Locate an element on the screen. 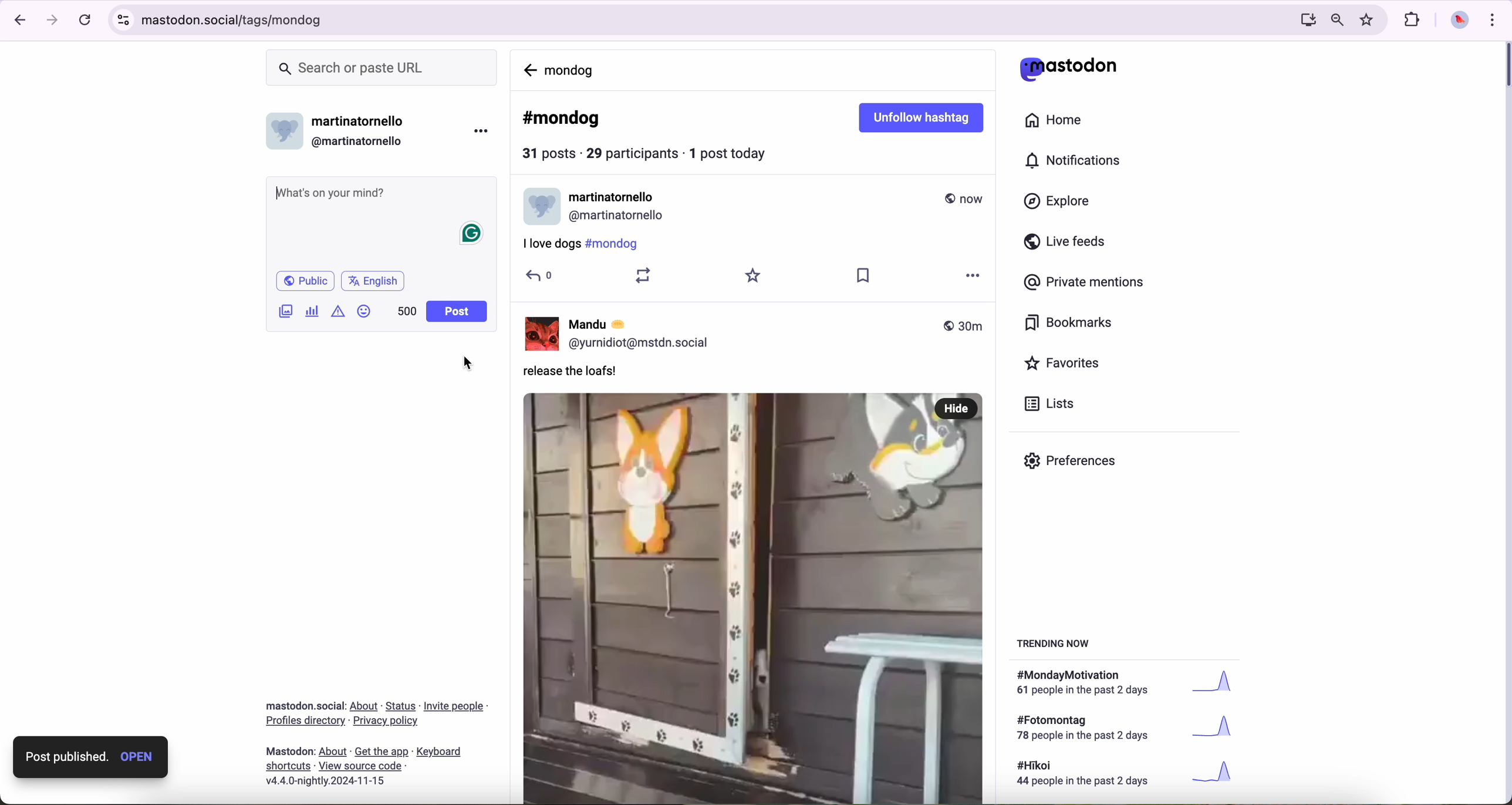 Image resolution: width=1512 pixels, height=805 pixels. screen is located at coordinates (1305, 21).